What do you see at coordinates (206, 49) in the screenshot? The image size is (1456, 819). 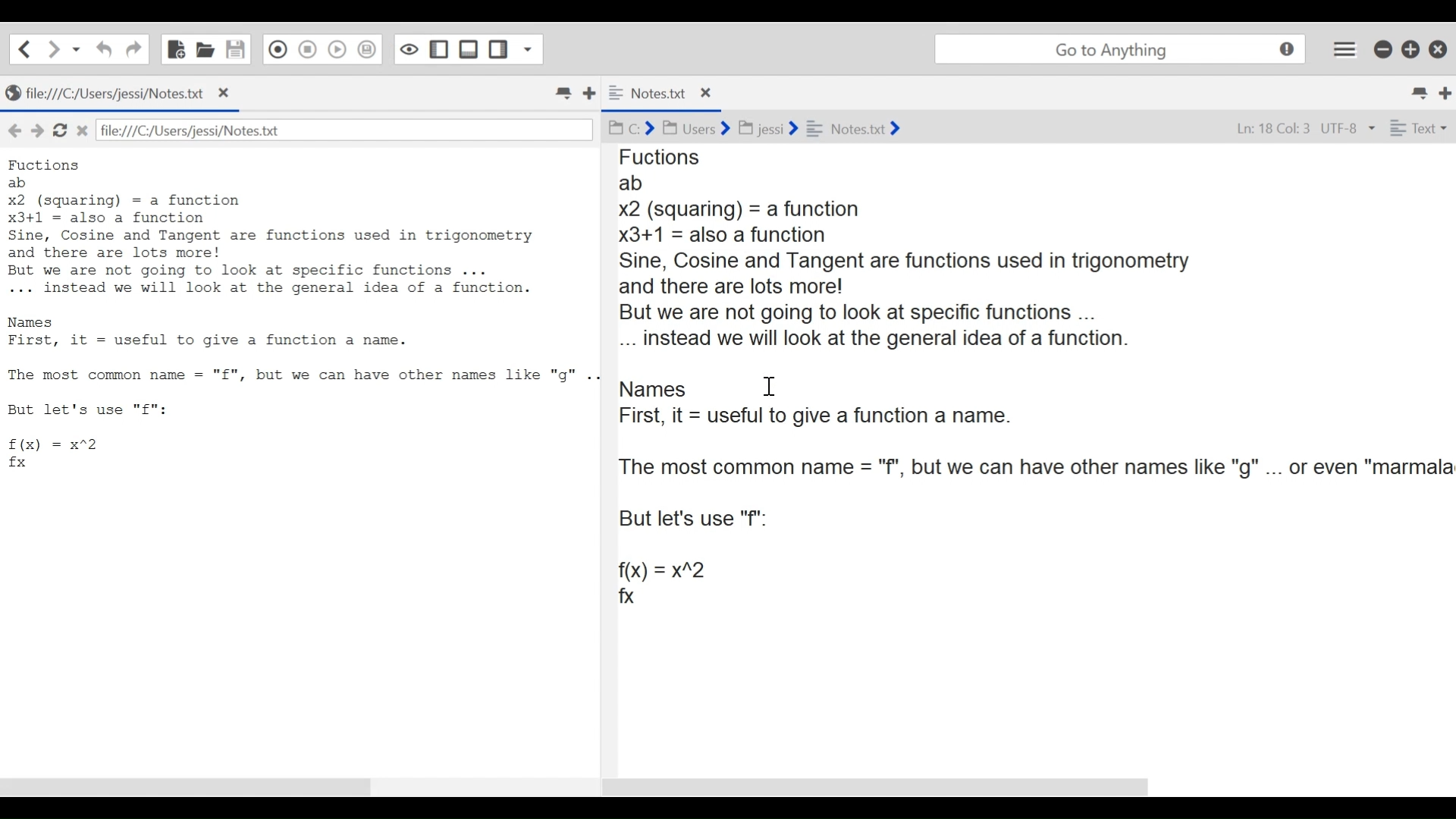 I see `Open file` at bounding box center [206, 49].